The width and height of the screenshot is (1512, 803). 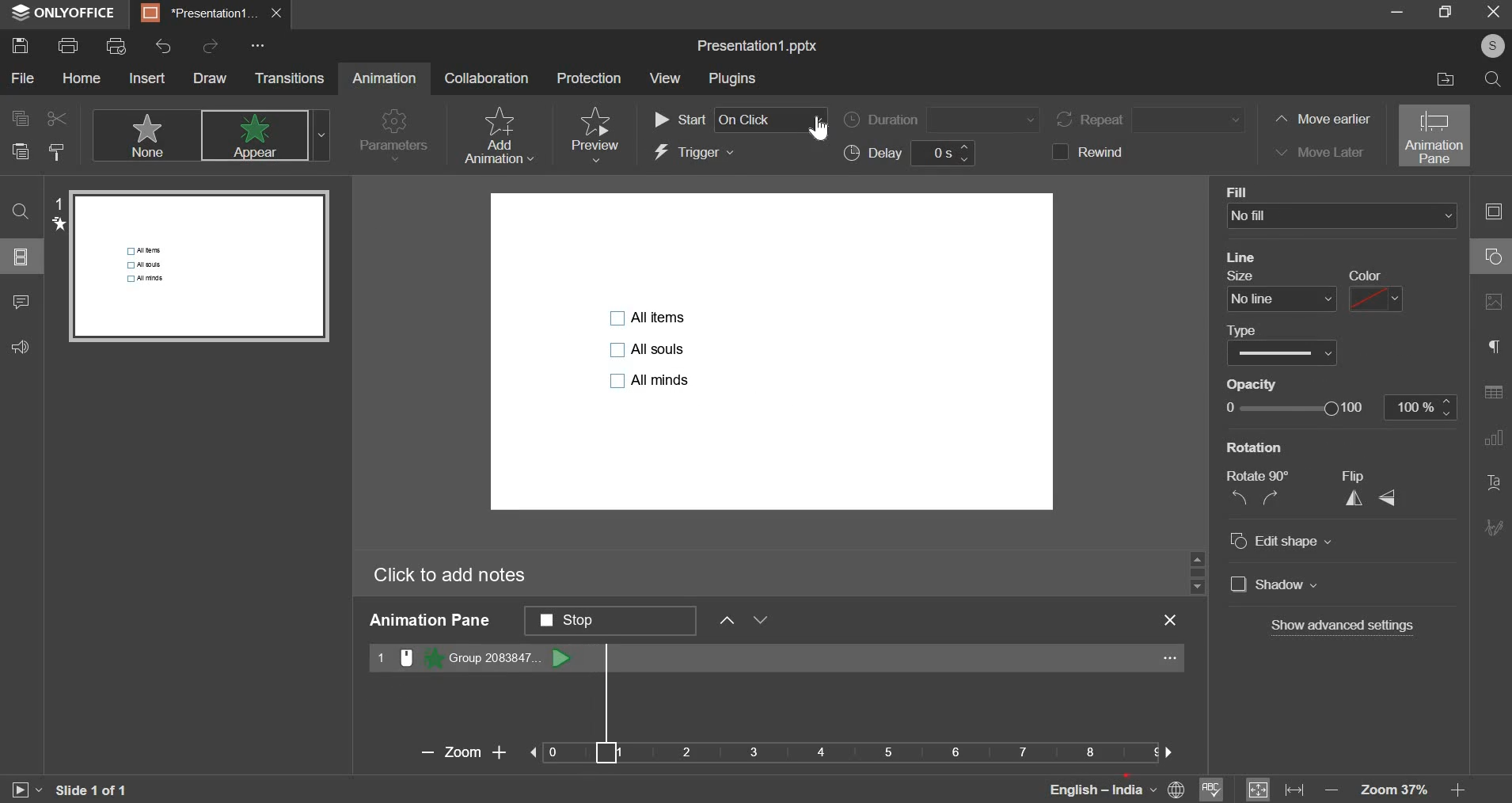 What do you see at coordinates (1342, 626) in the screenshot?
I see `Show advanced settings` at bounding box center [1342, 626].